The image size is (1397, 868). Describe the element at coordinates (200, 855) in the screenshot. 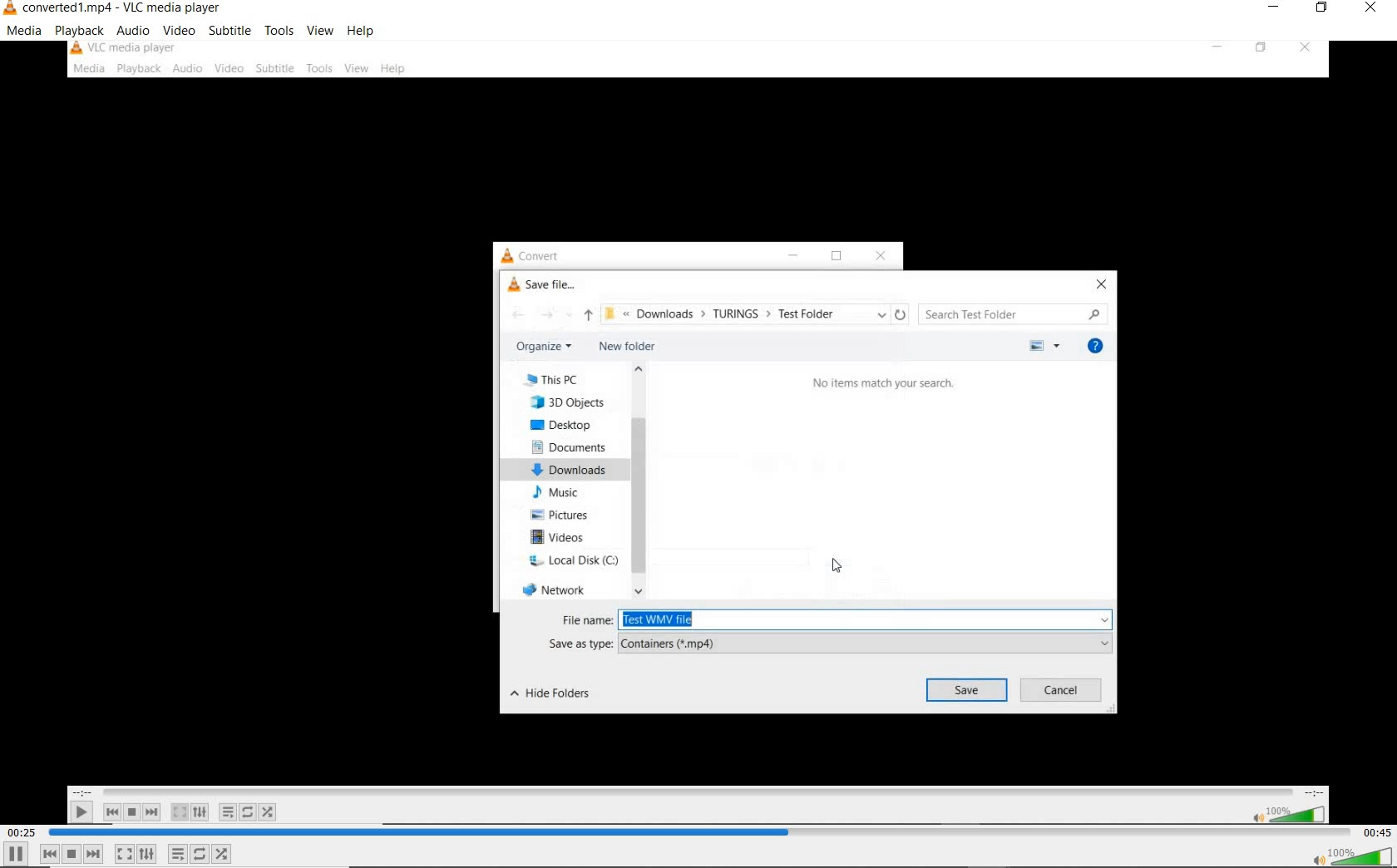

I see `click to toggle between loop all` at that location.